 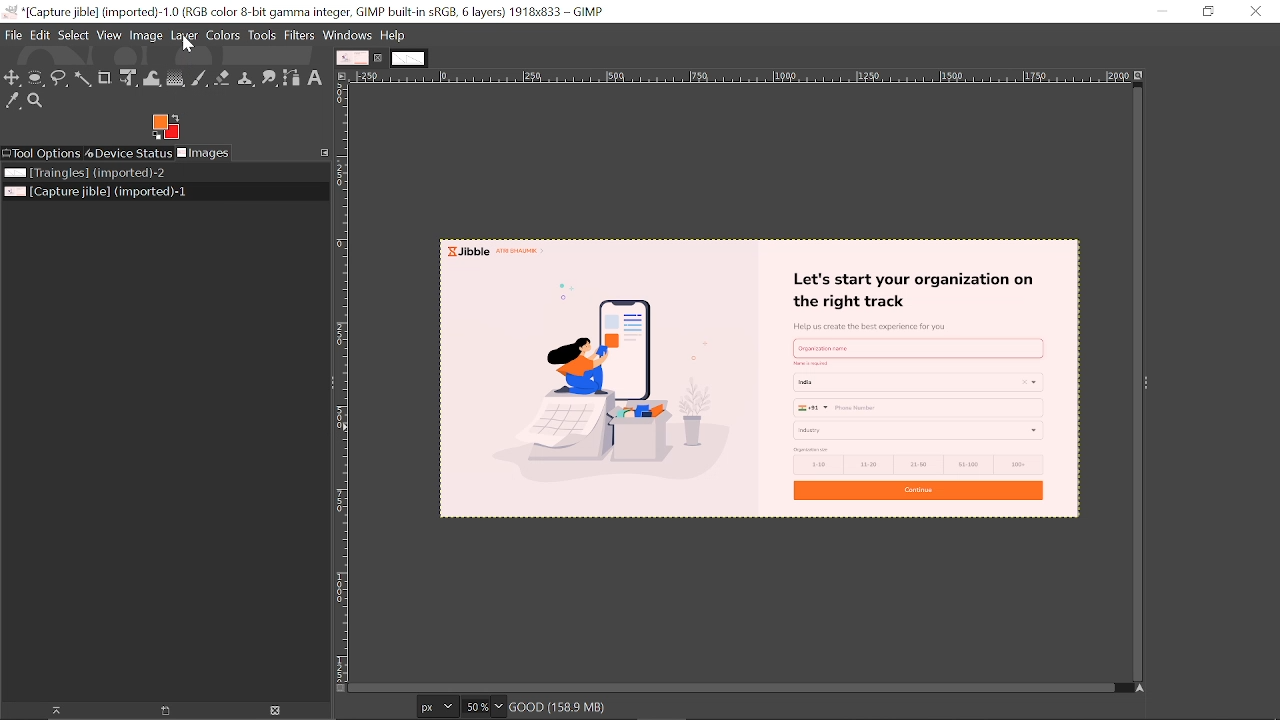 What do you see at coordinates (41, 154) in the screenshot?
I see `Tool options` at bounding box center [41, 154].